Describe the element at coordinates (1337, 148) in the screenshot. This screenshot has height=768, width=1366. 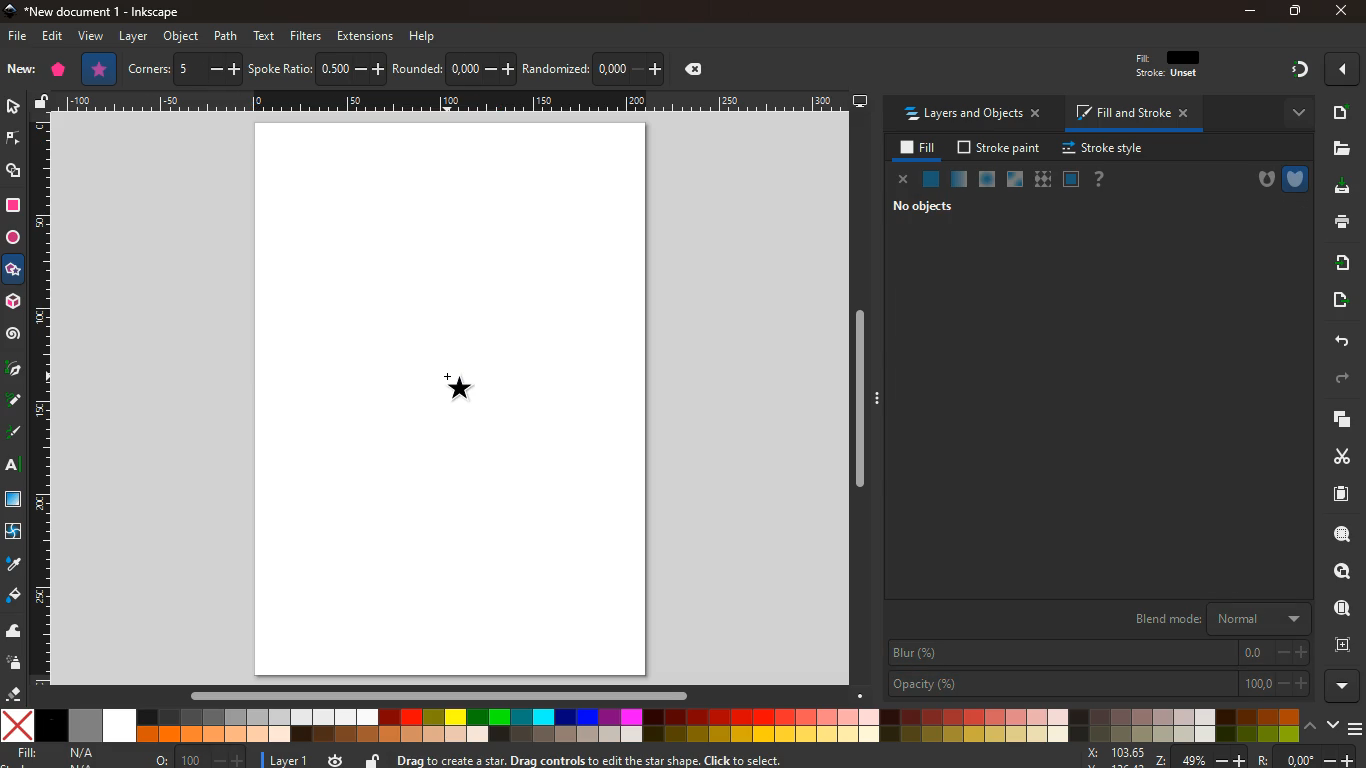
I see `files` at that location.